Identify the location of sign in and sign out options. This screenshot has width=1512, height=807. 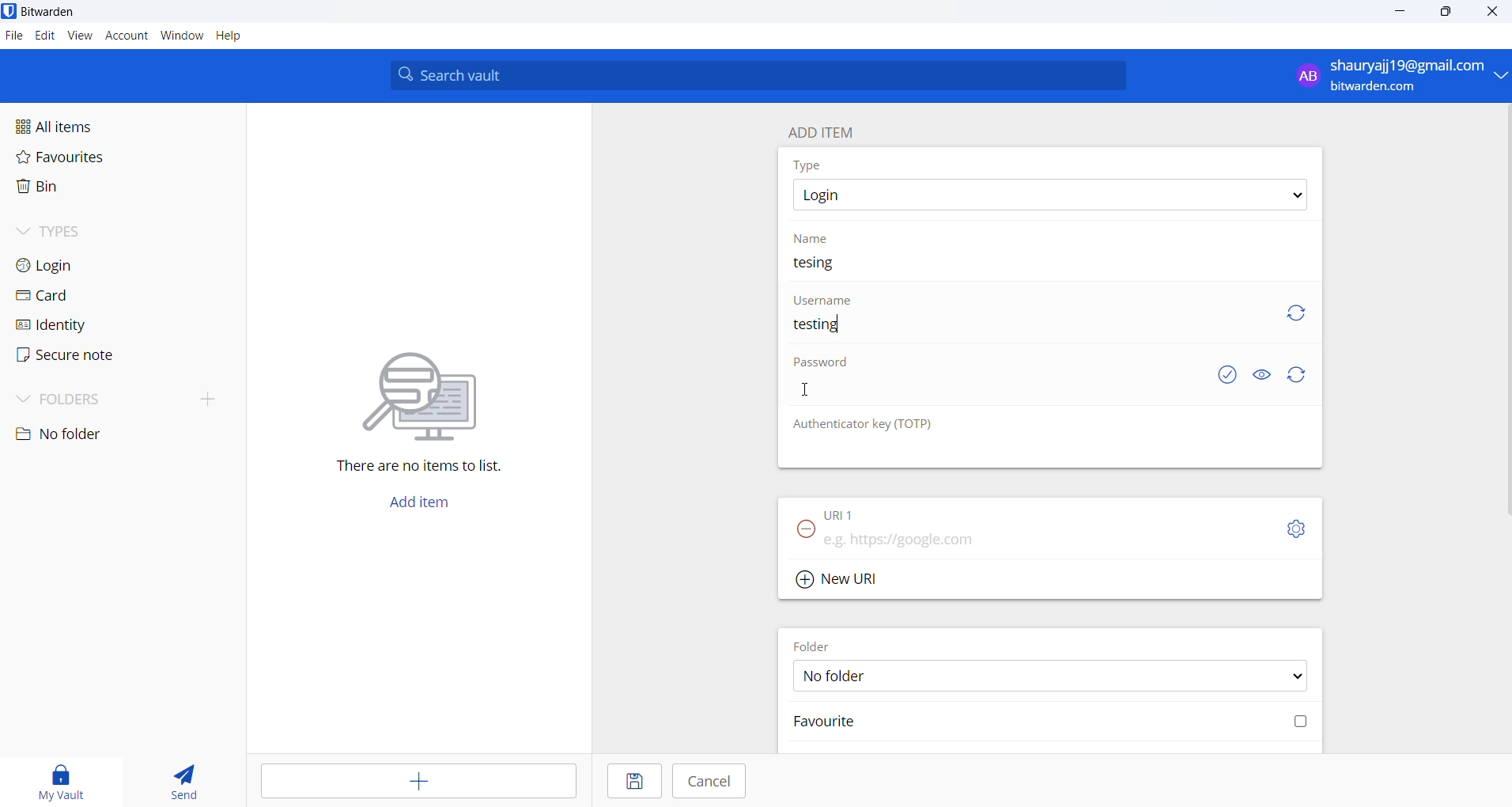
(1397, 76).